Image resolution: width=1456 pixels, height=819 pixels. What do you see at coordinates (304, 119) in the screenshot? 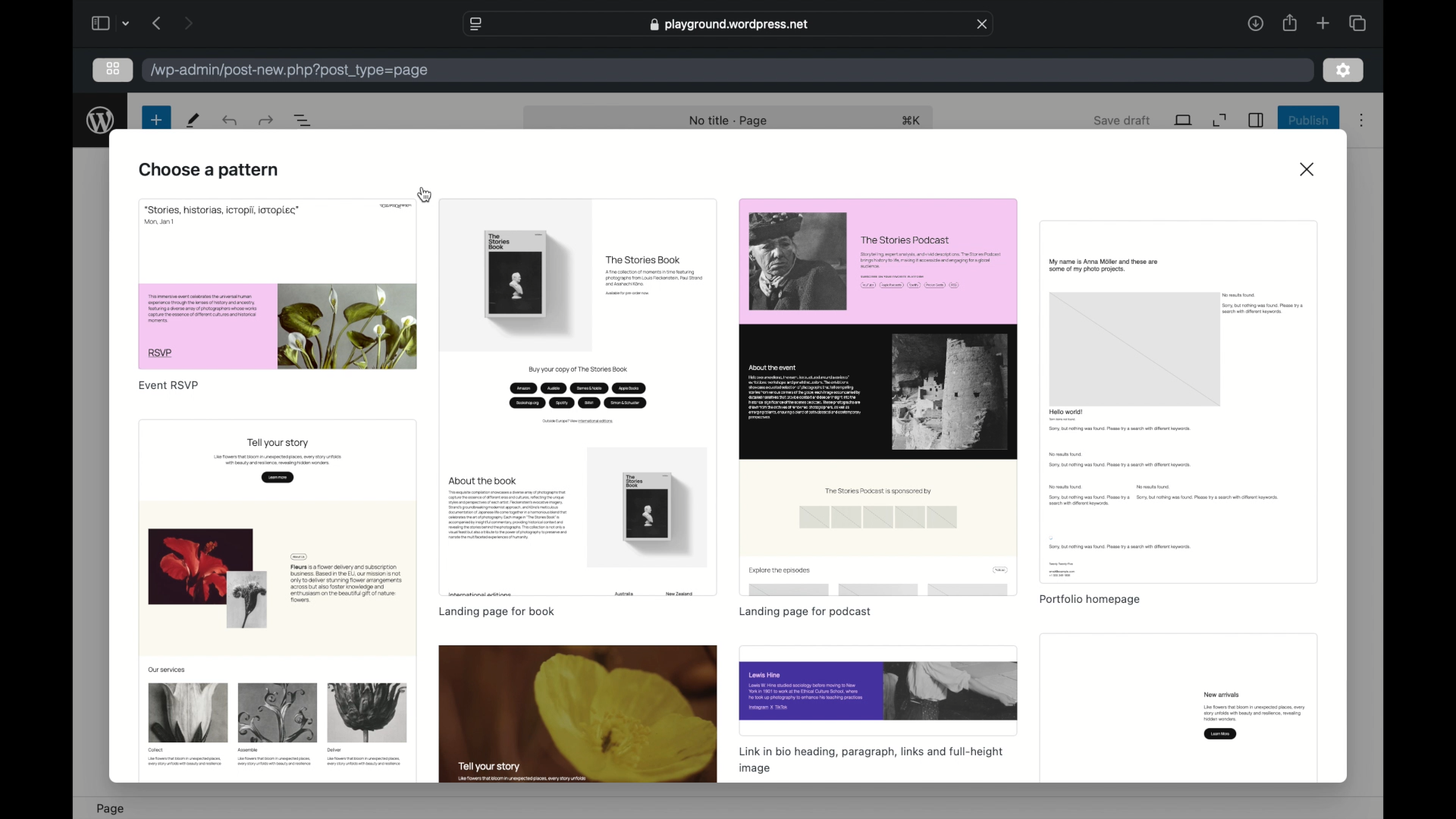
I see `document overview` at bounding box center [304, 119].